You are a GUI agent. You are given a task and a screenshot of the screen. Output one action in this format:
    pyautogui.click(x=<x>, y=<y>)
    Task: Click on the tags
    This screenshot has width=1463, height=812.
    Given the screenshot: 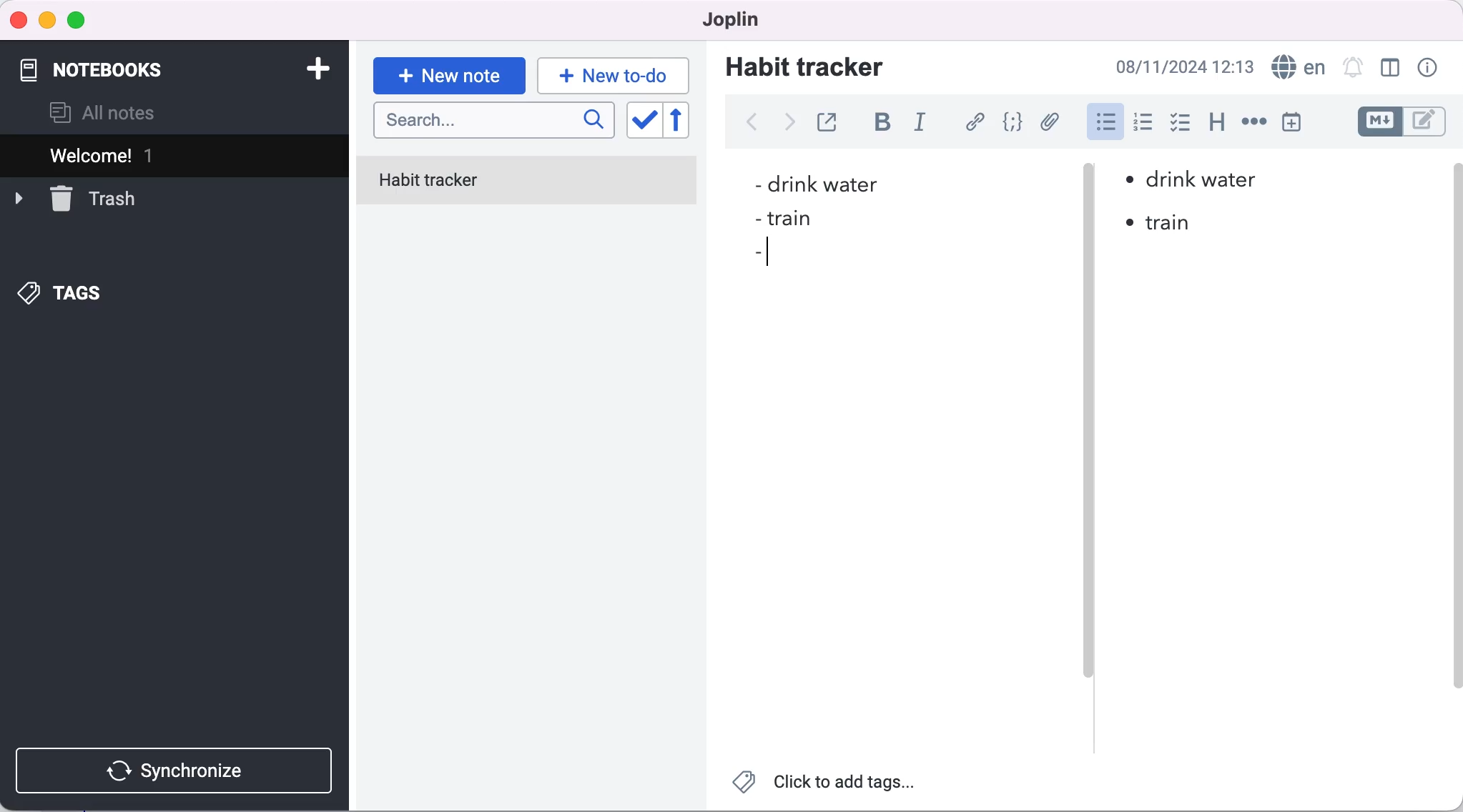 What is the action you would take?
    pyautogui.click(x=62, y=294)
    